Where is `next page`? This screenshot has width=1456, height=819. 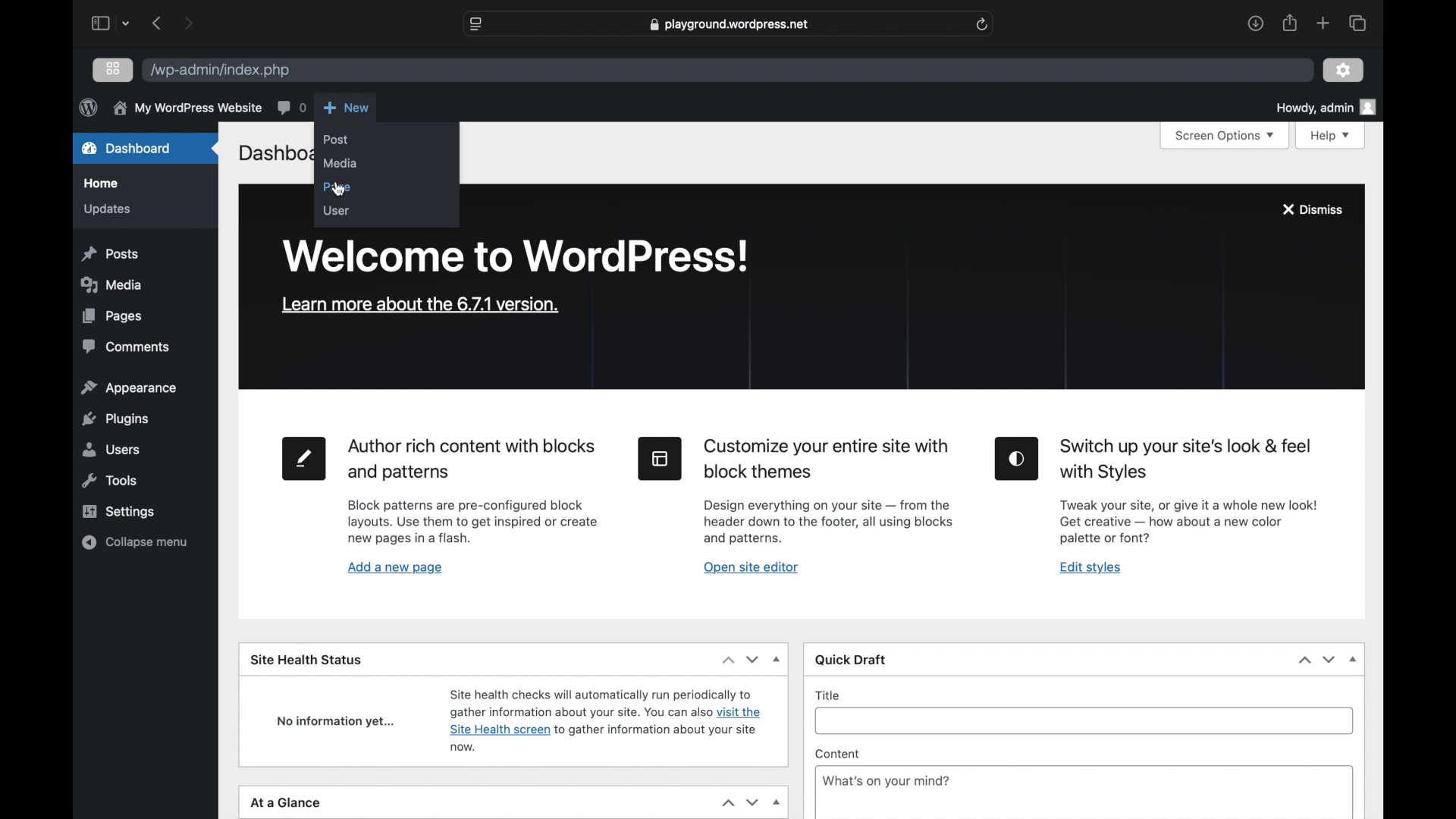
next page is located at coordinates (189, 24).